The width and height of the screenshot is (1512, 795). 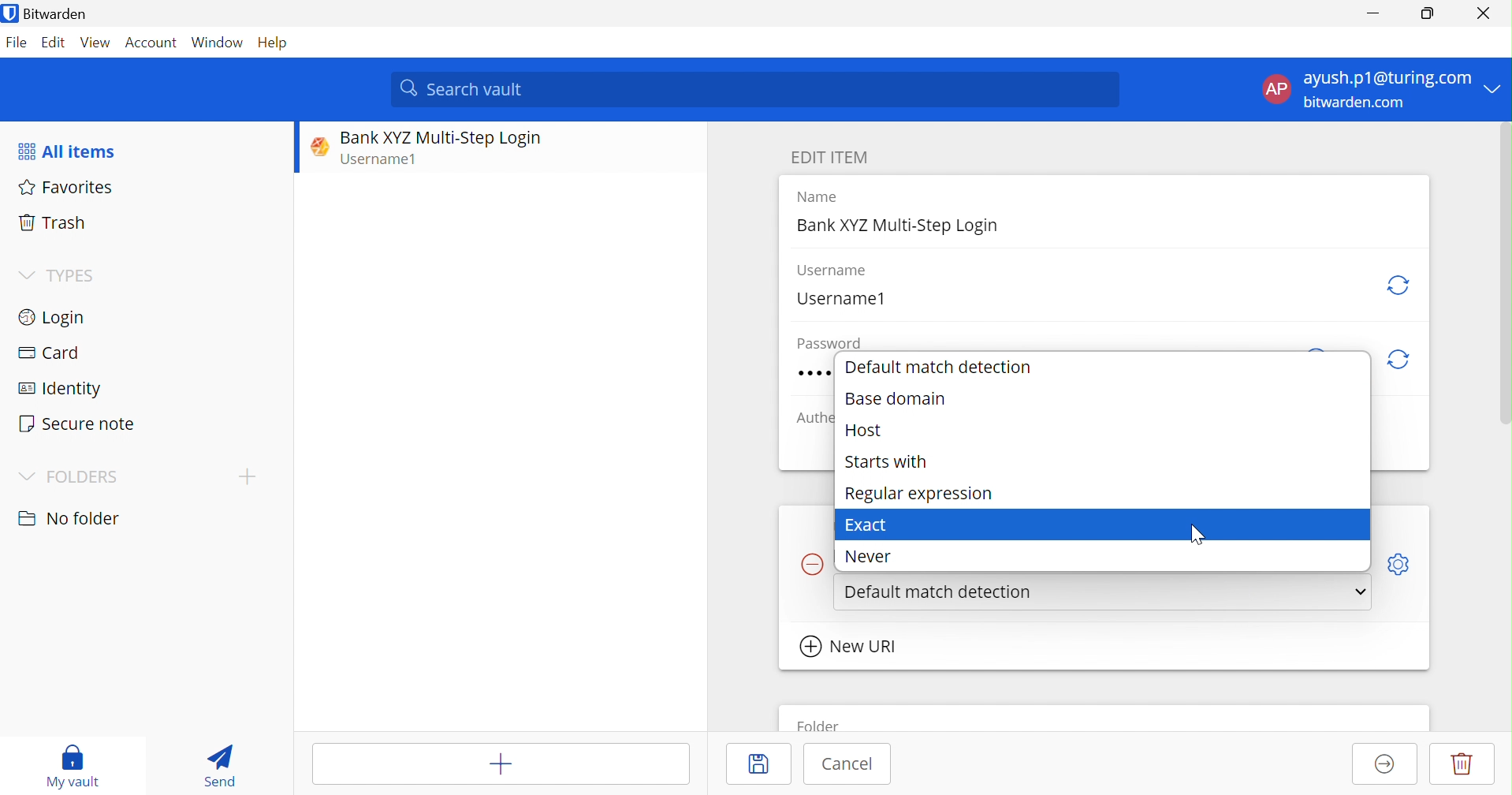 I want to click on Close, so click(x=1487, y=13).